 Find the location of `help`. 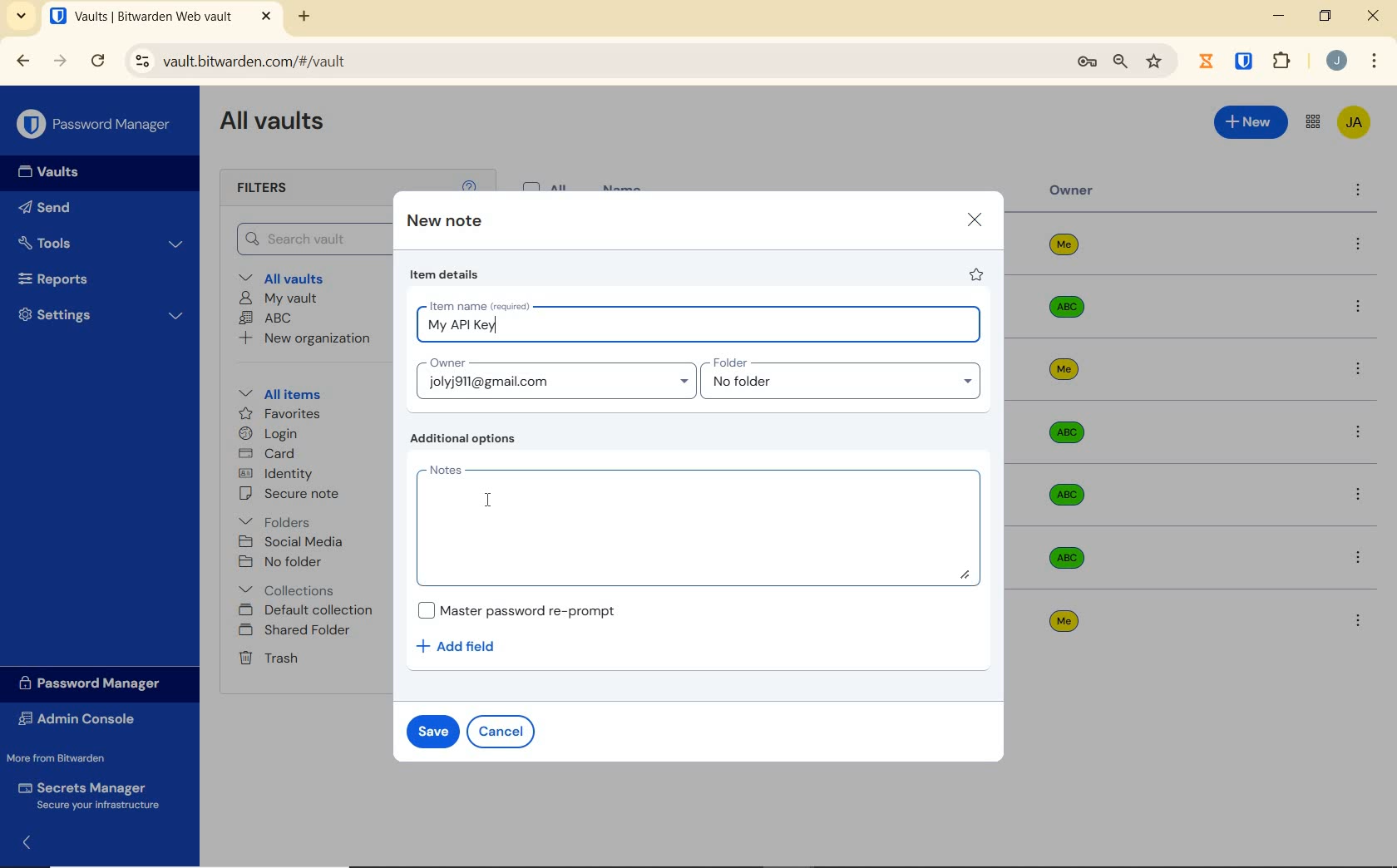

help is located at coordinates (469, 184).